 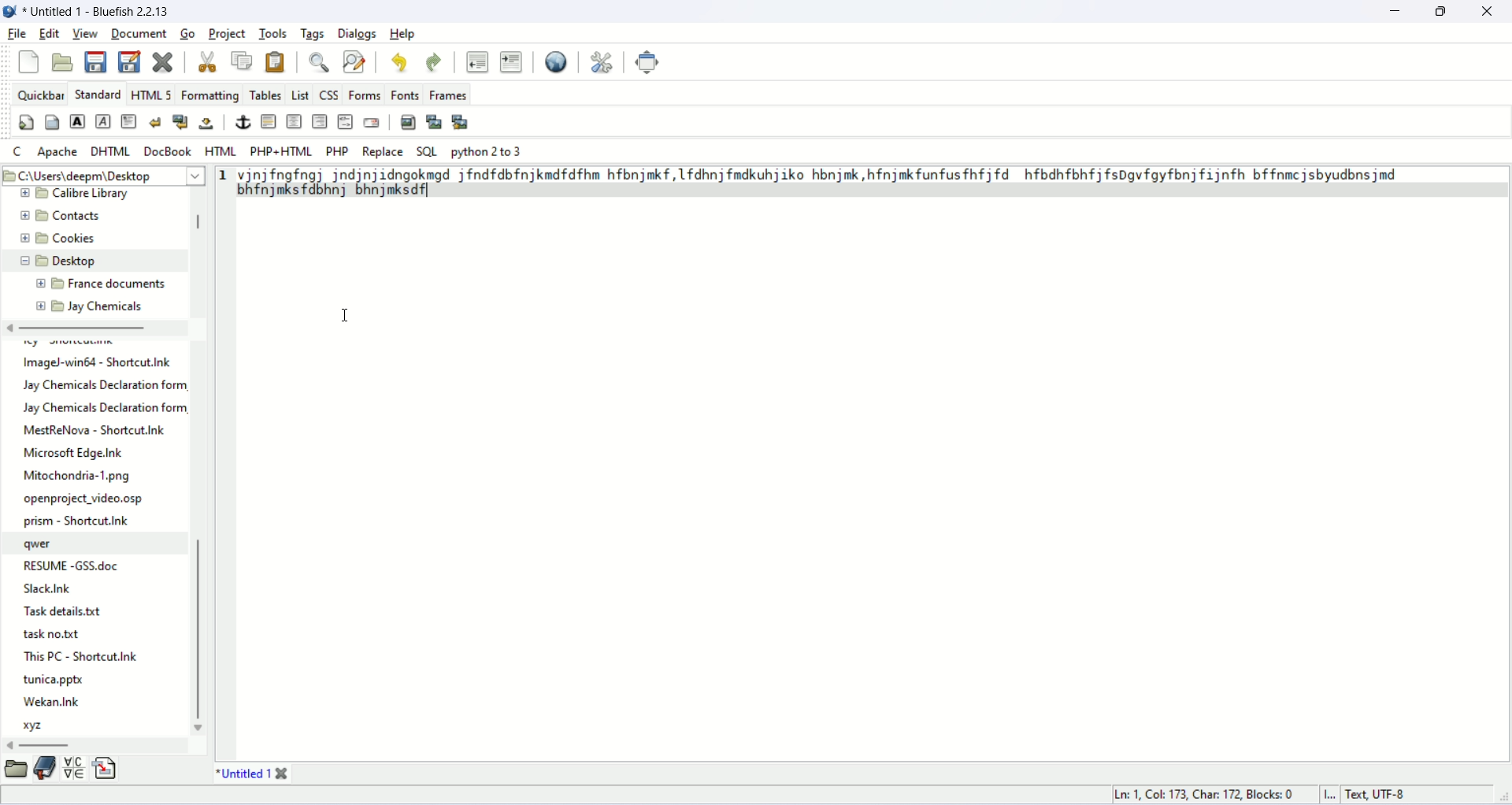 I want to click on non breaking space, so click(x=207, y=123).